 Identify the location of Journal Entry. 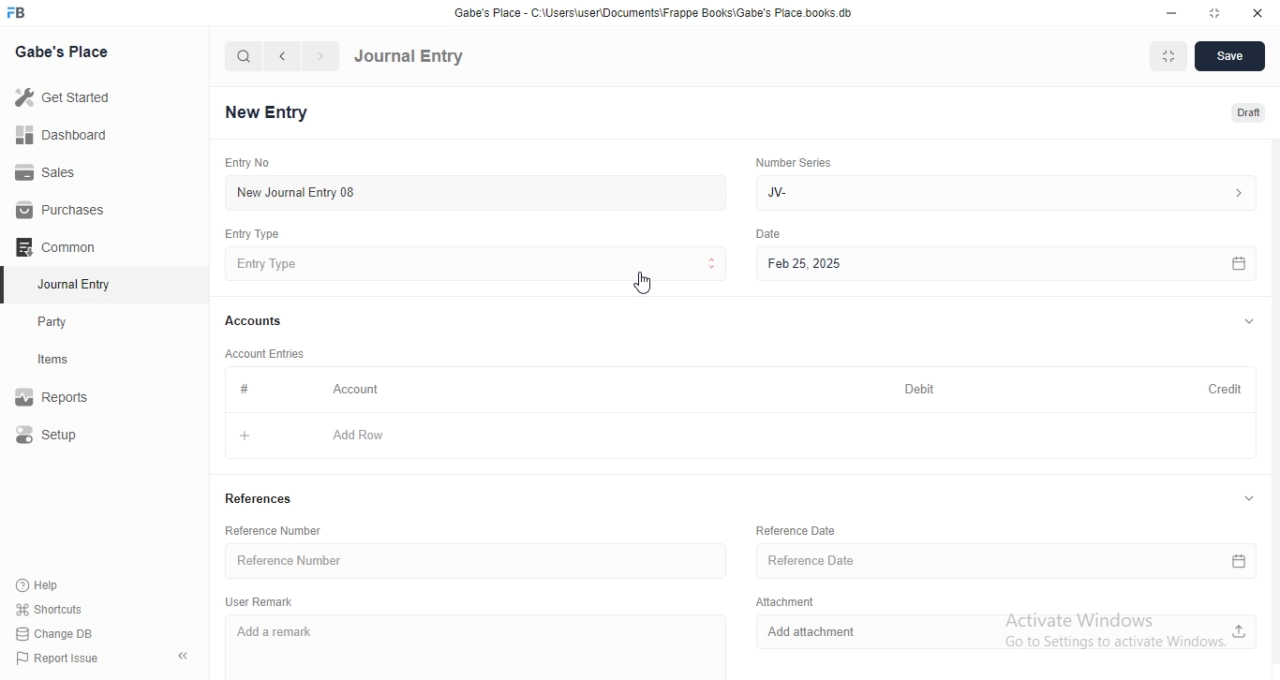
(71, 284).